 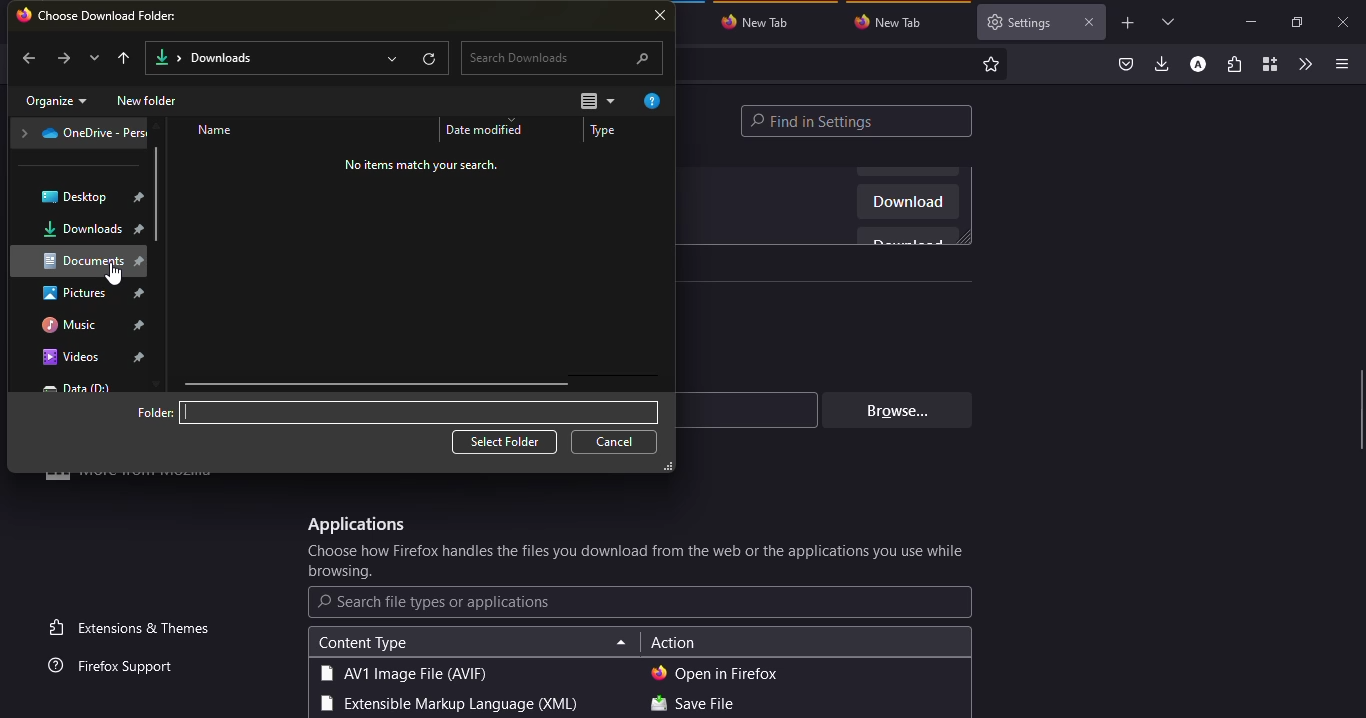 I want to click on more, so click(x=135, y=482).